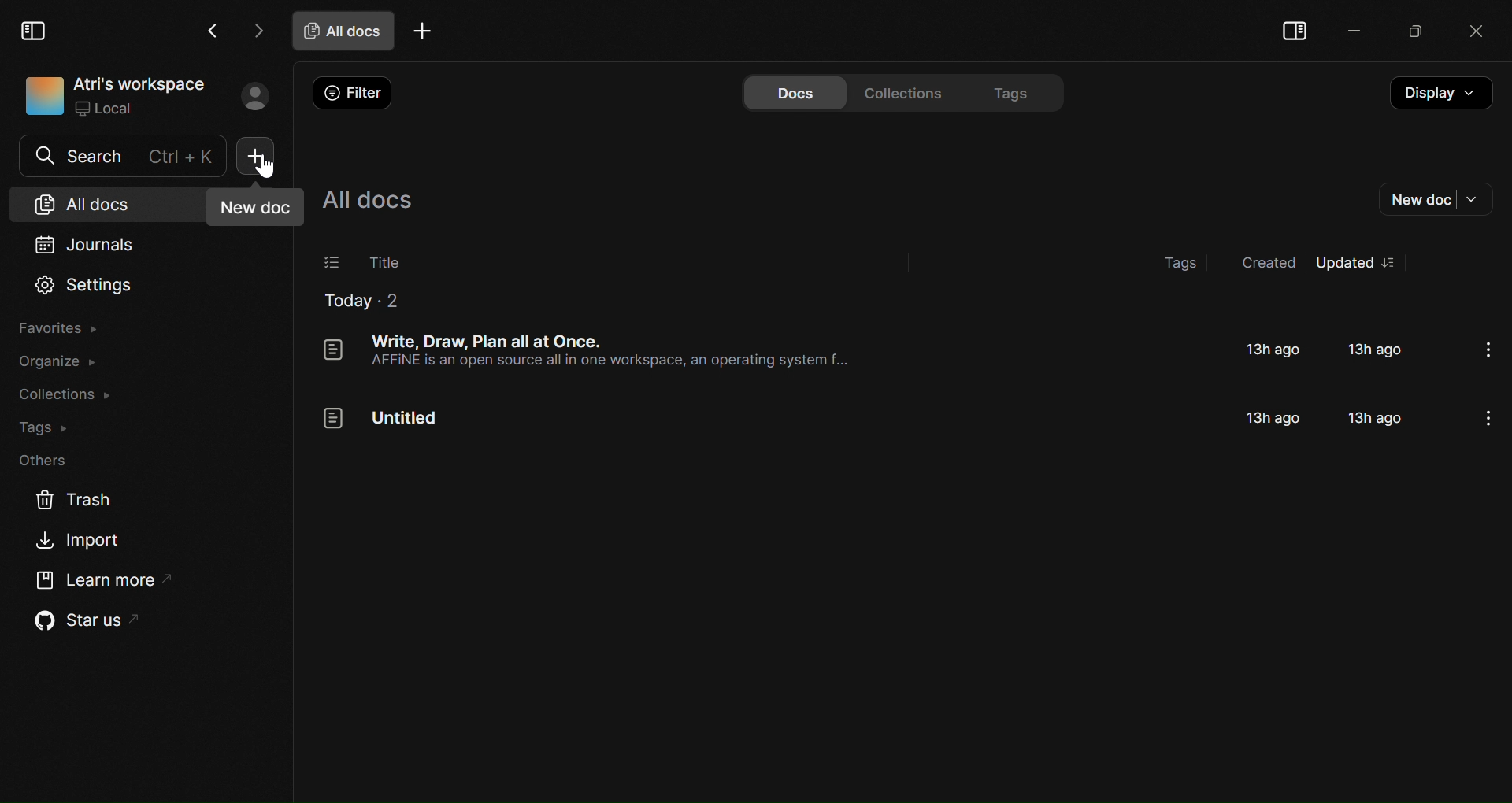 The width and height of the screenshot is (1512, 803). What do you see at coordinates (105, 244) in the screenshot?
I see `Journals` at bounding box center [105, 244].